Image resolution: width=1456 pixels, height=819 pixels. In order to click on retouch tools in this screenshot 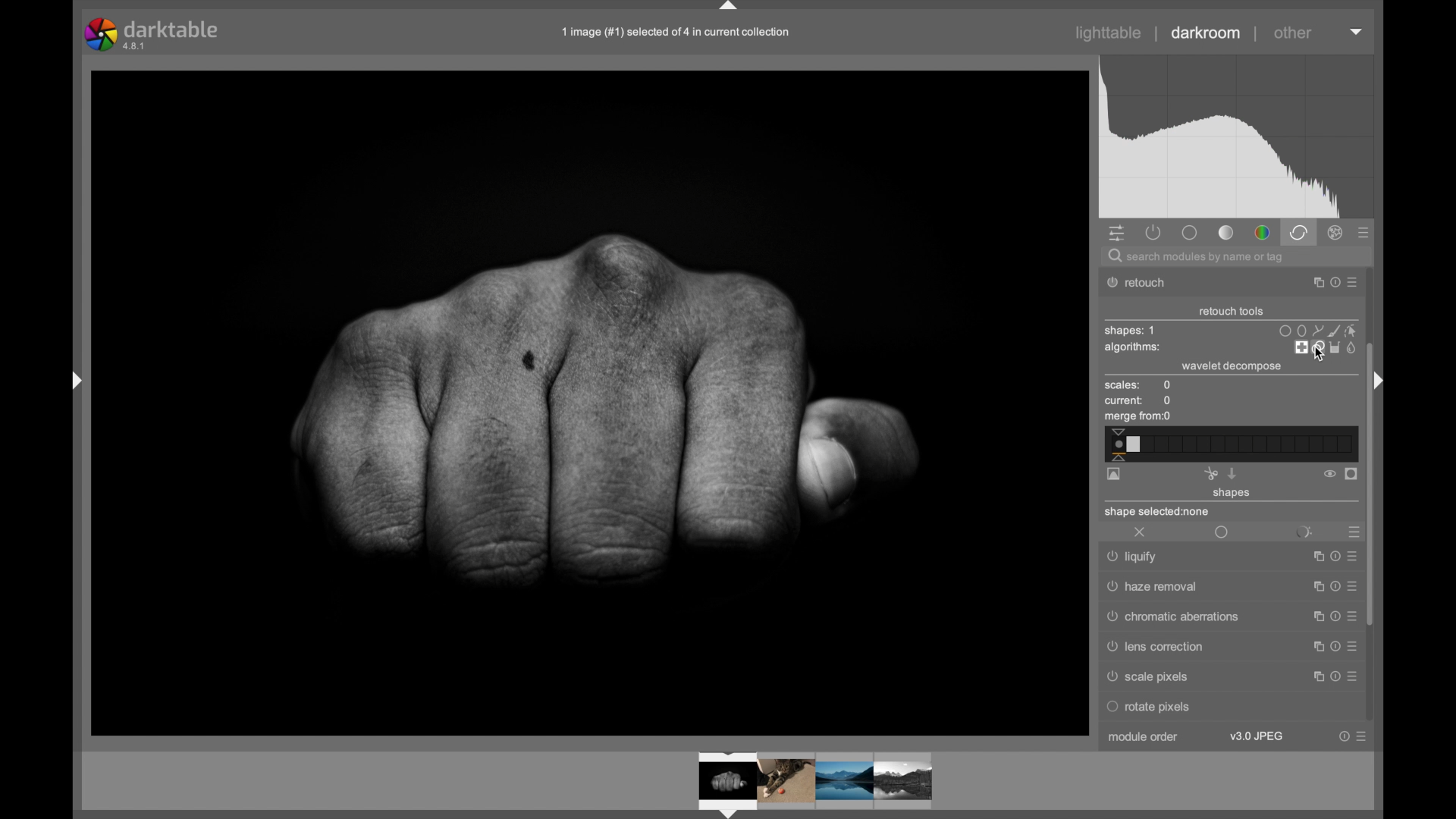, I will do `click(1232, 312)`.